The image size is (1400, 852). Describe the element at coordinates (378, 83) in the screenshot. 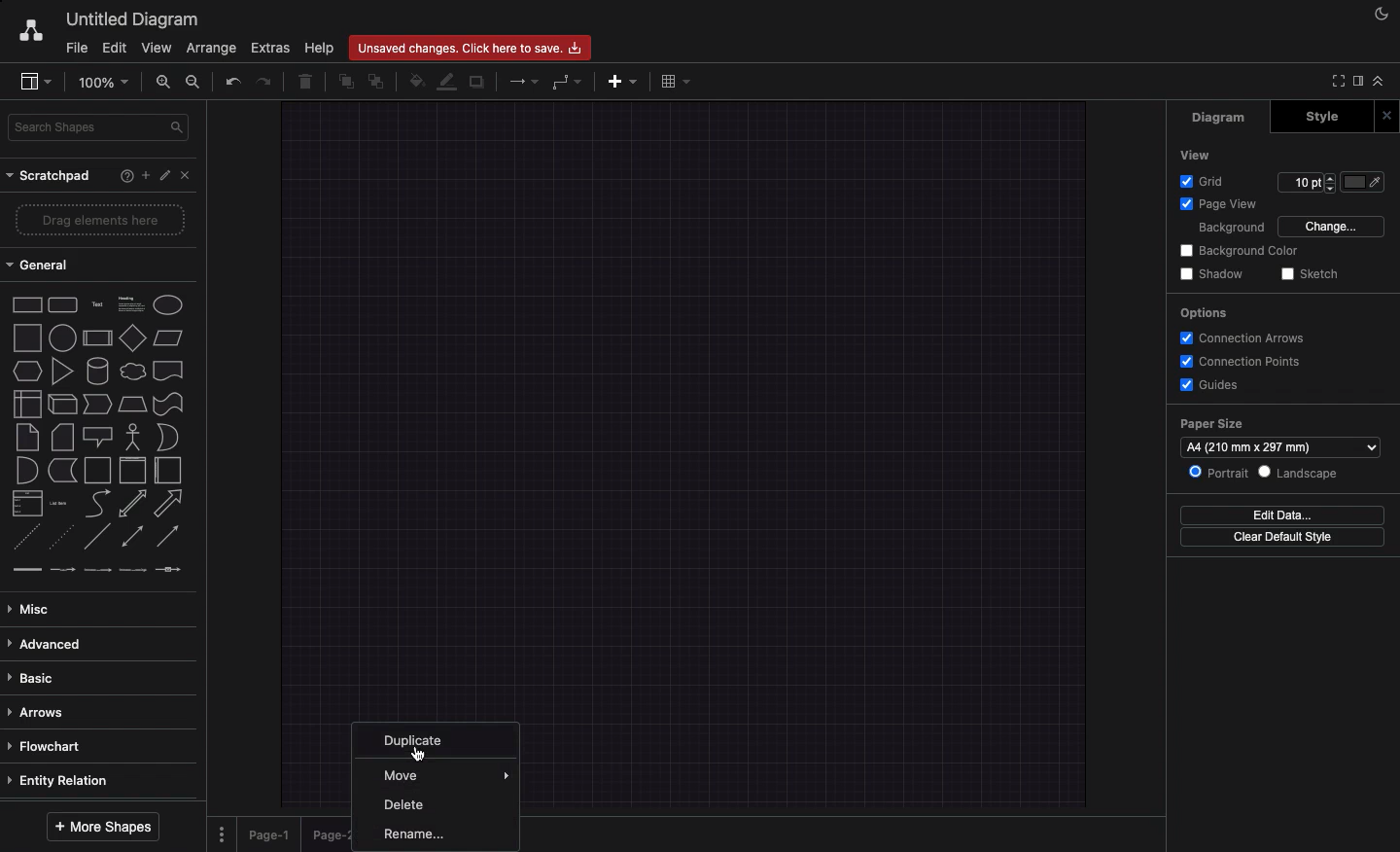

I see `To back` at that location.